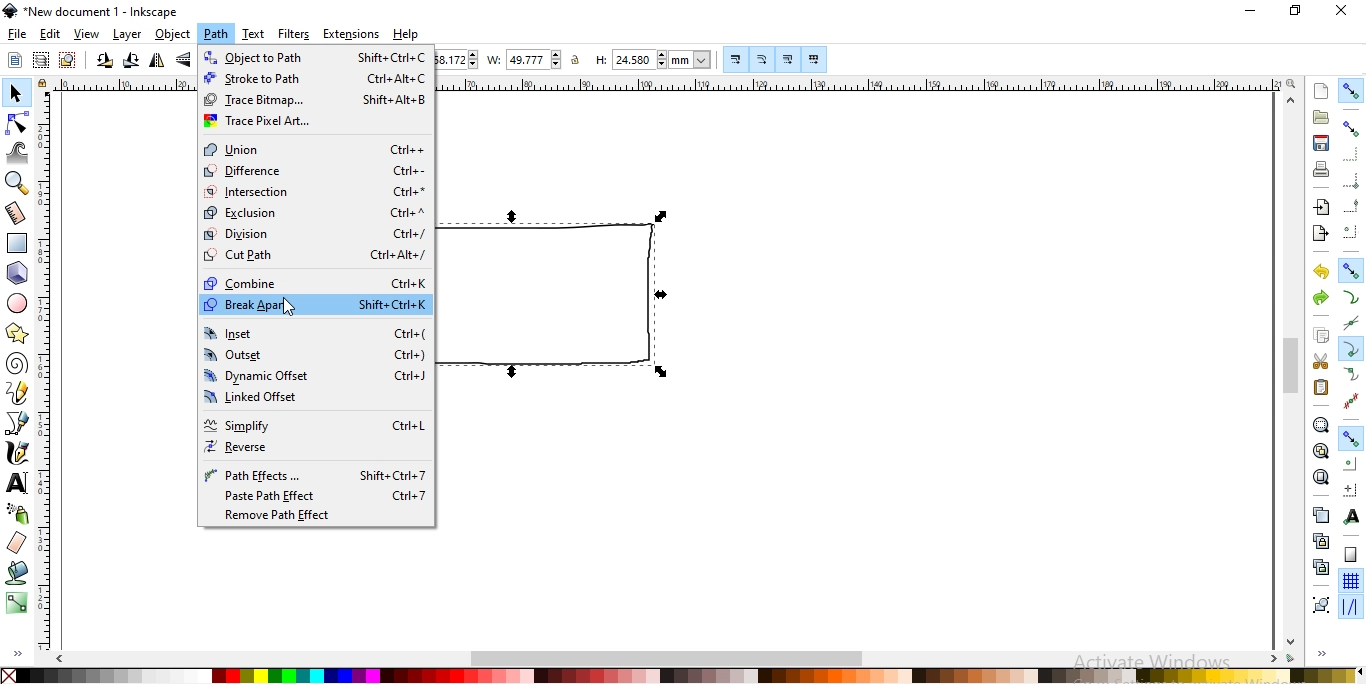 The image size is (1366, 684). Describe the element at coordinates (1320, 363) in the screenshot. I see `cut` at that location.